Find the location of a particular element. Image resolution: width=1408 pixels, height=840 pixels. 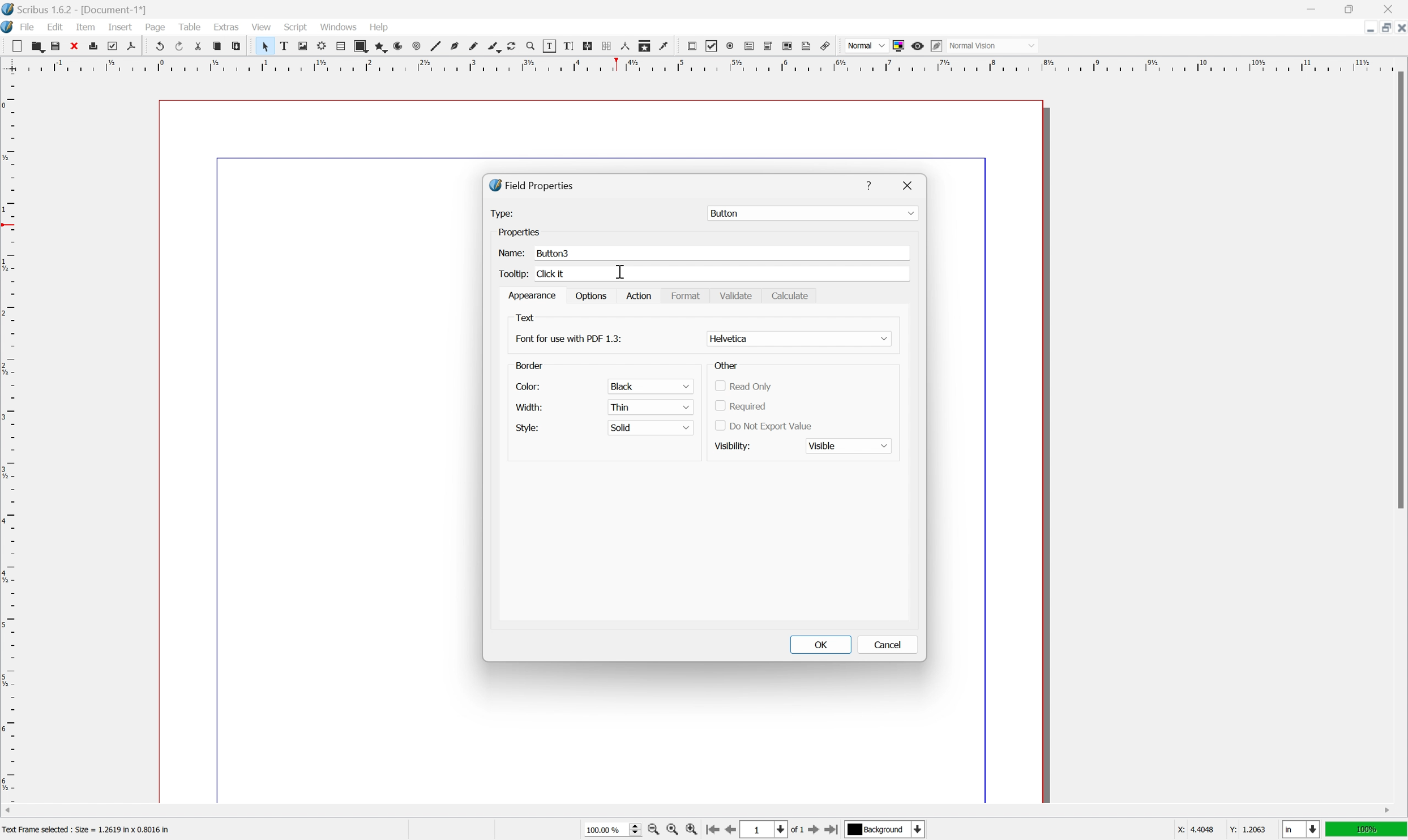

Type: is located at coordinates (499, 212).